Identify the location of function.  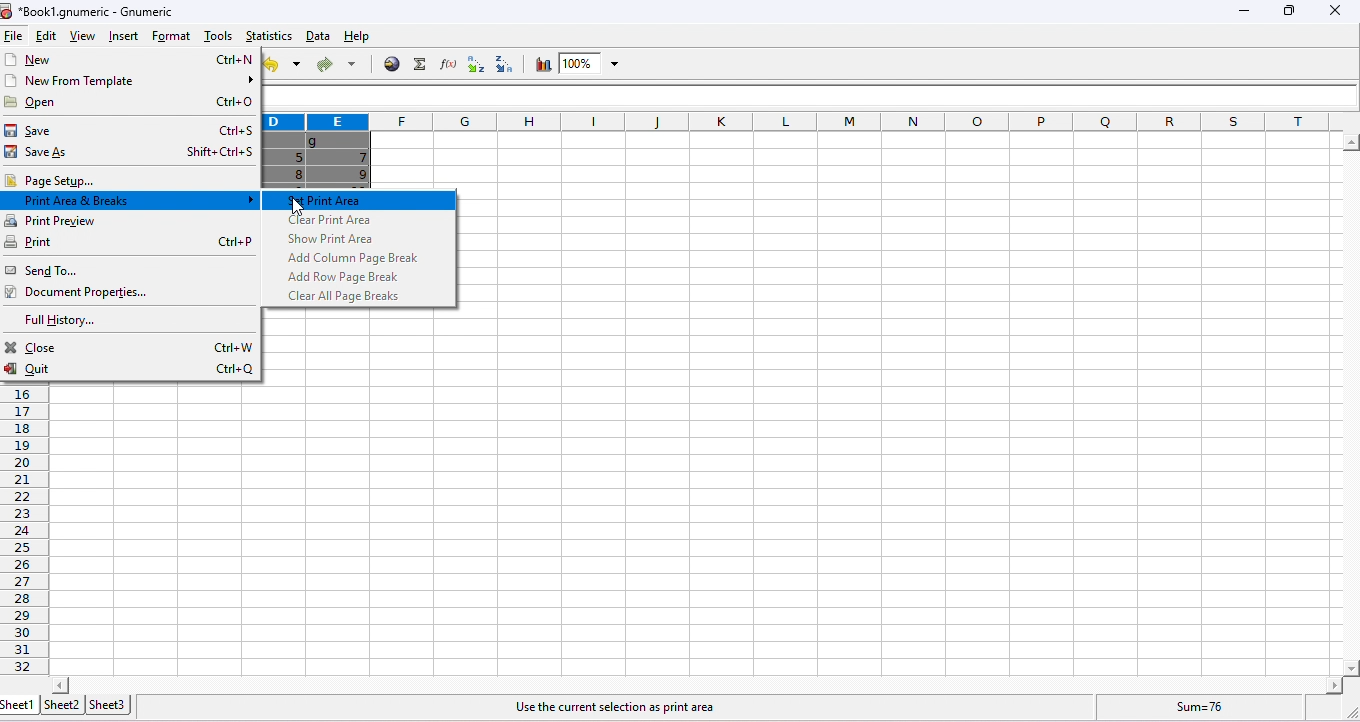
(417, 64).